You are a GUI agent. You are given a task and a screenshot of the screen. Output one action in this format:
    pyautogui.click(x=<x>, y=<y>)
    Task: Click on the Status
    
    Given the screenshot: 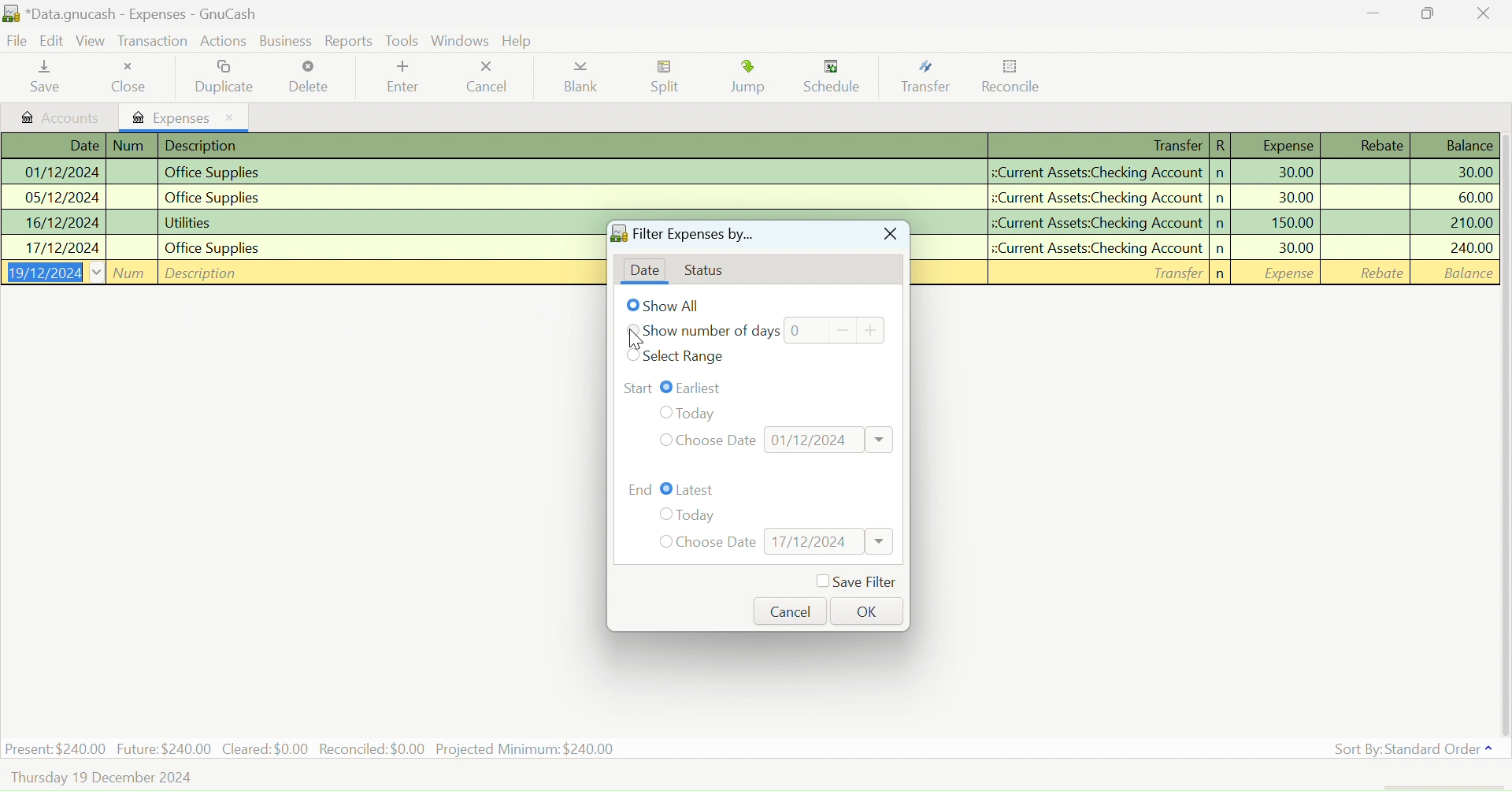 What is the action you would take?
    pyautogui.click(x=710, y=272)
    